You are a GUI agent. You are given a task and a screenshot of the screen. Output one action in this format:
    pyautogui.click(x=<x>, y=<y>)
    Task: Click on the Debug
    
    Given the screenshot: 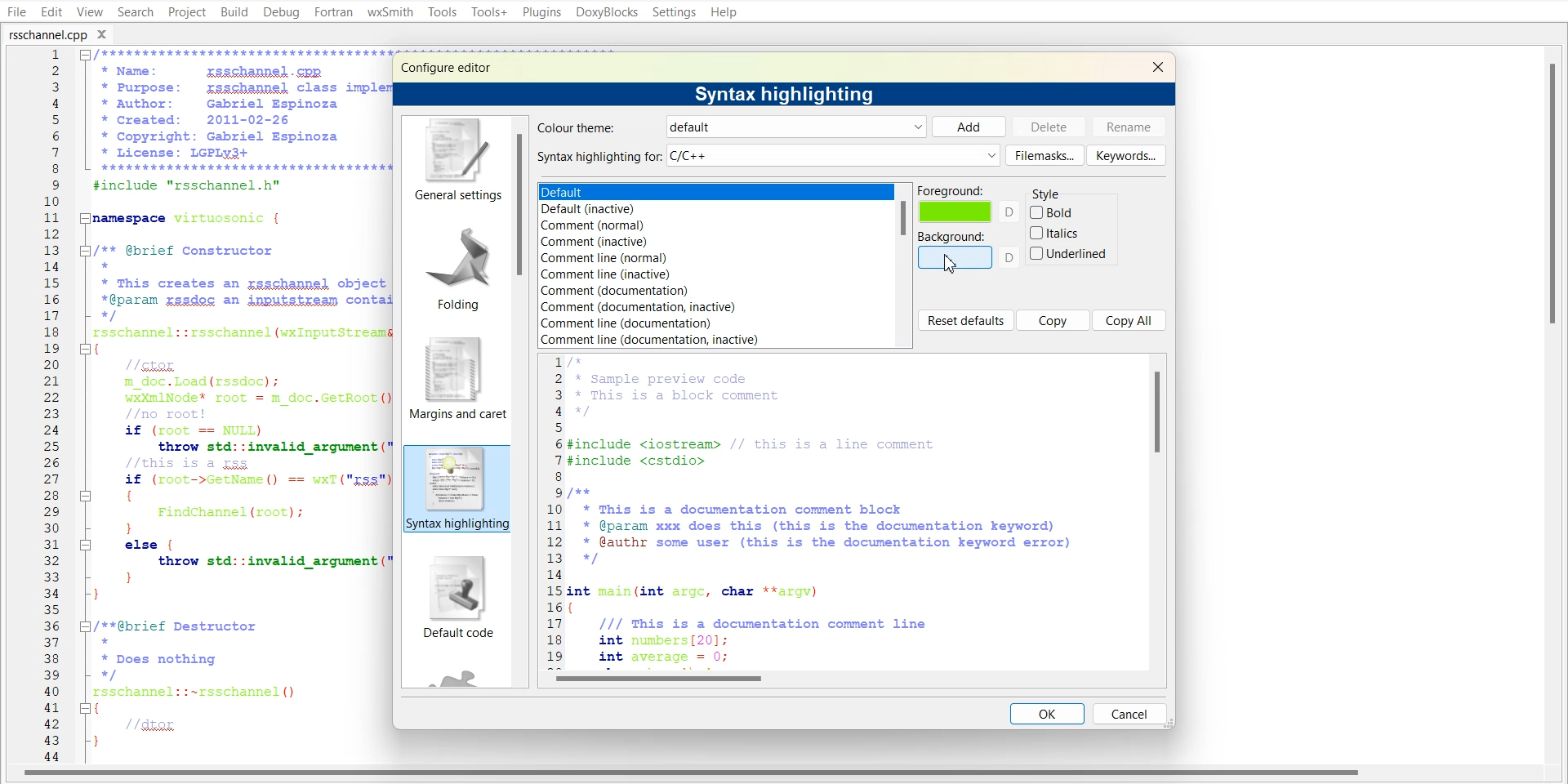 What is the action you would take?
    pyautogui.click(x=282, y=13)
    